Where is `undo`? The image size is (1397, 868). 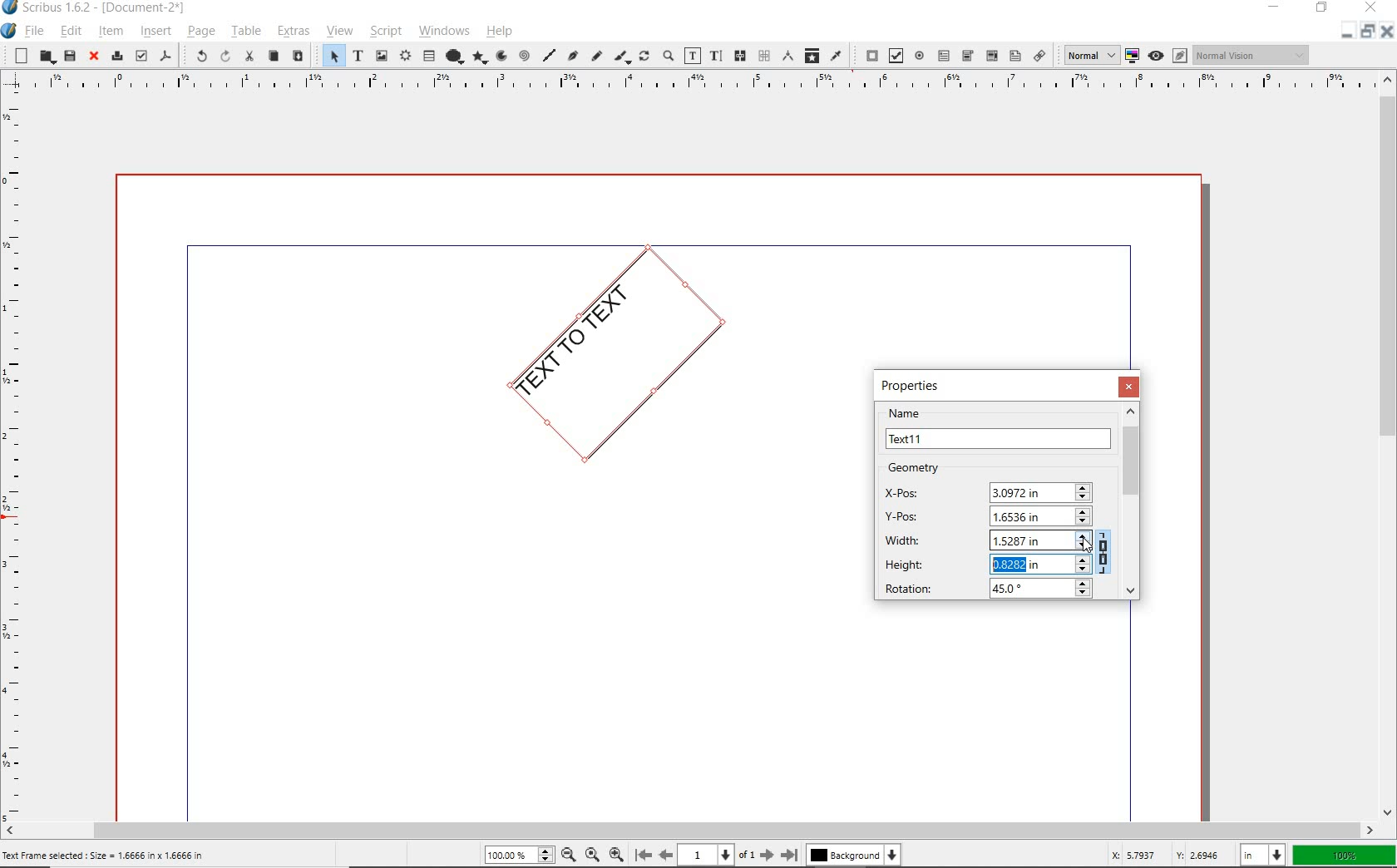
undo is located at coordinates (195, 57).